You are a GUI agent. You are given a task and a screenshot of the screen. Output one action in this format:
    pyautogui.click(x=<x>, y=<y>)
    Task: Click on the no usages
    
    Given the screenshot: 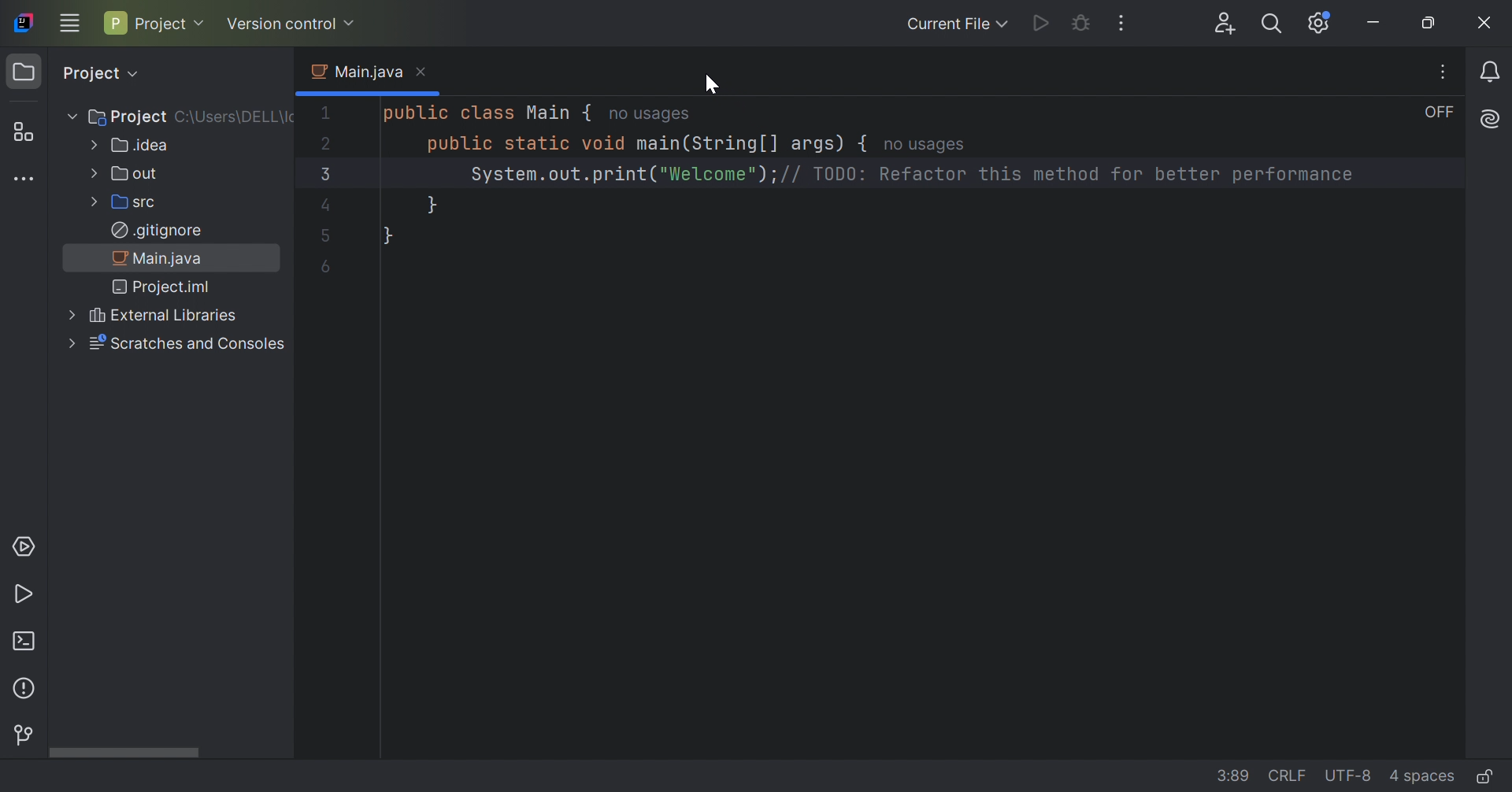 What is the action you would take?
    pyautogui.click(x=648, y=116)
    